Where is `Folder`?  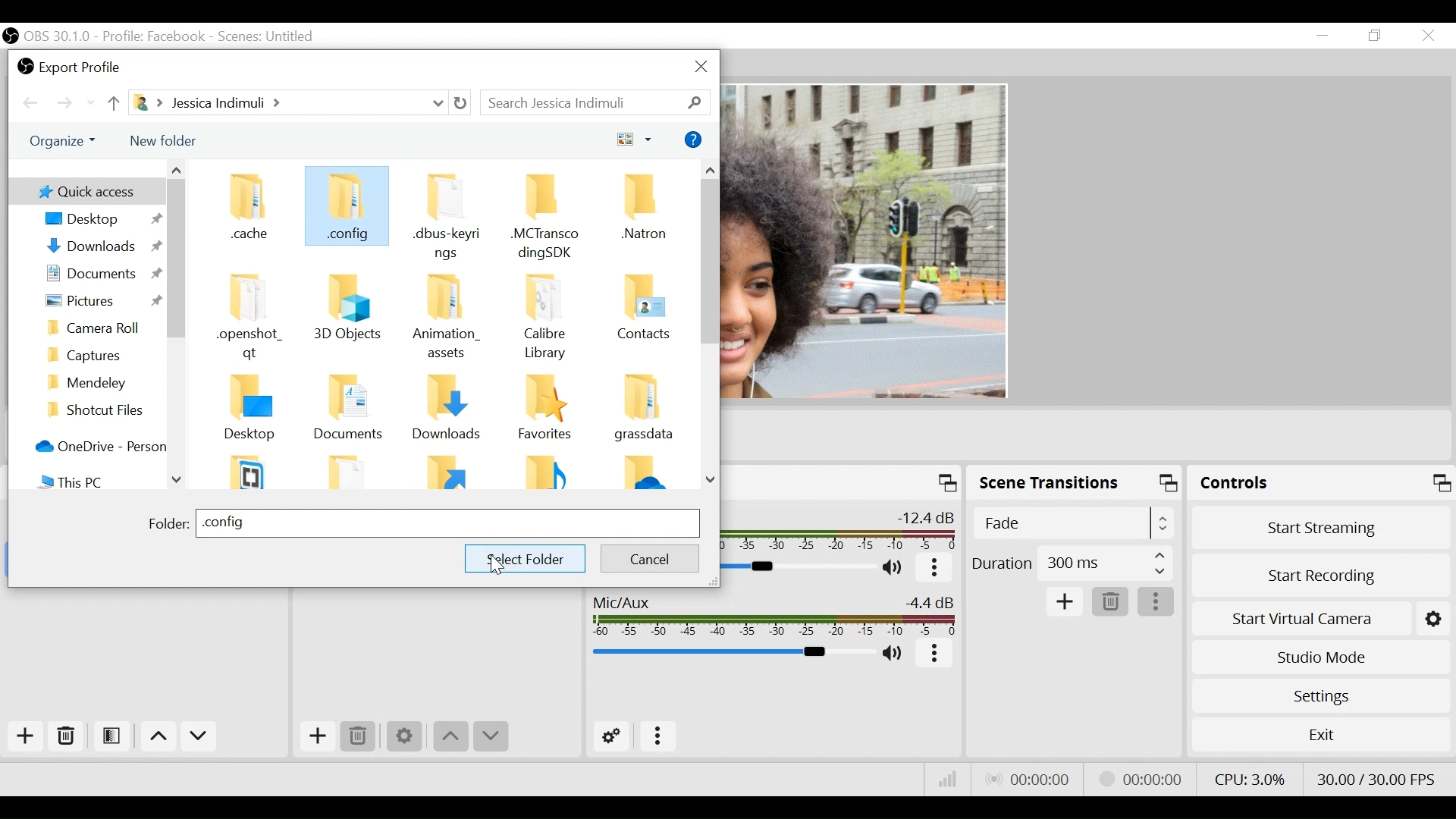 Folder is located at coordinates (643, 474).